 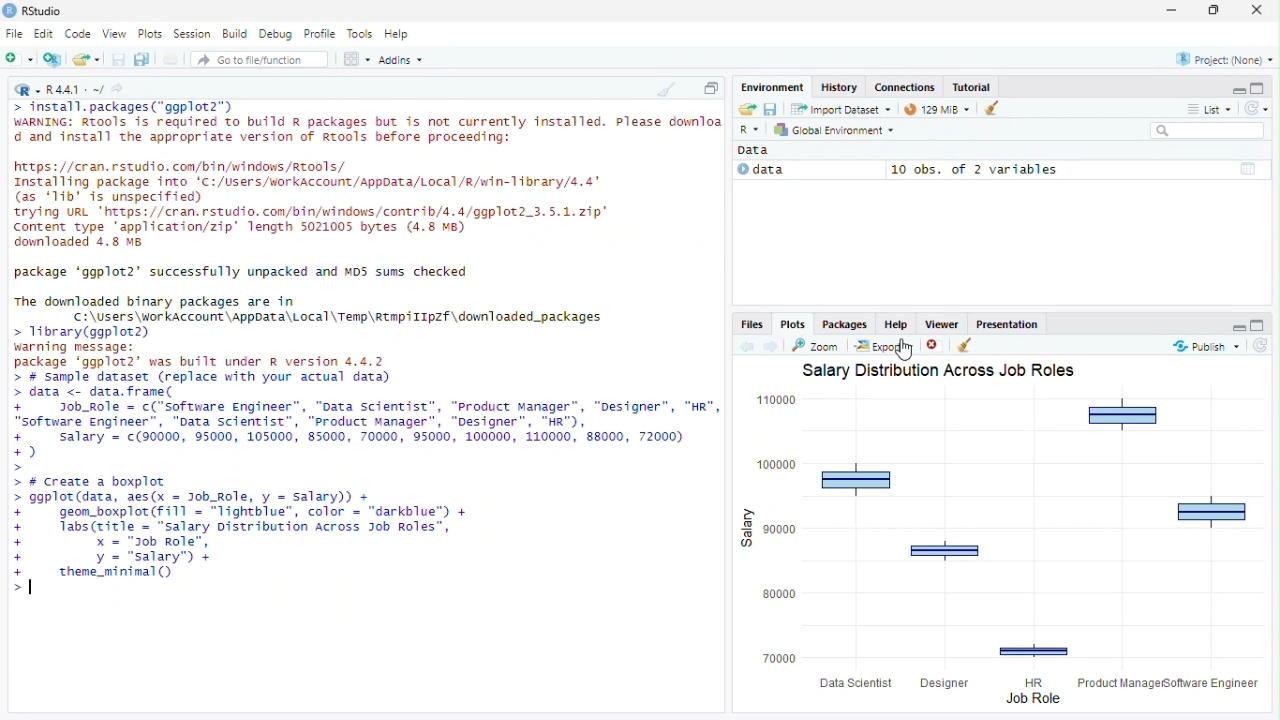 I want to click on Connections, so click(x=904, y=87).